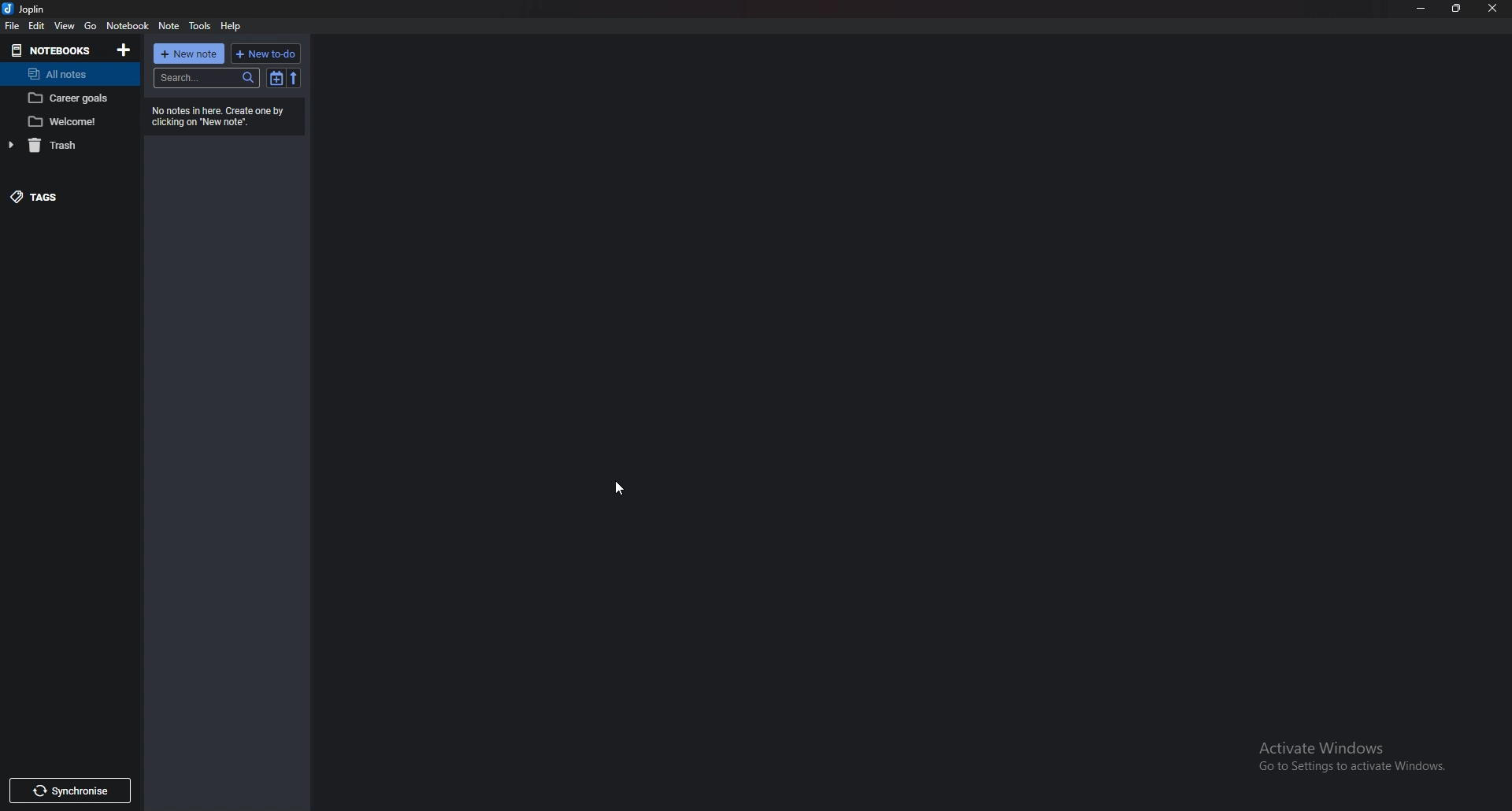 This screenshot has height=811, width=1512. What do you see at coordinates (38, 26) in the screenshot?
I see `edit` at bounding box center [38, 26].